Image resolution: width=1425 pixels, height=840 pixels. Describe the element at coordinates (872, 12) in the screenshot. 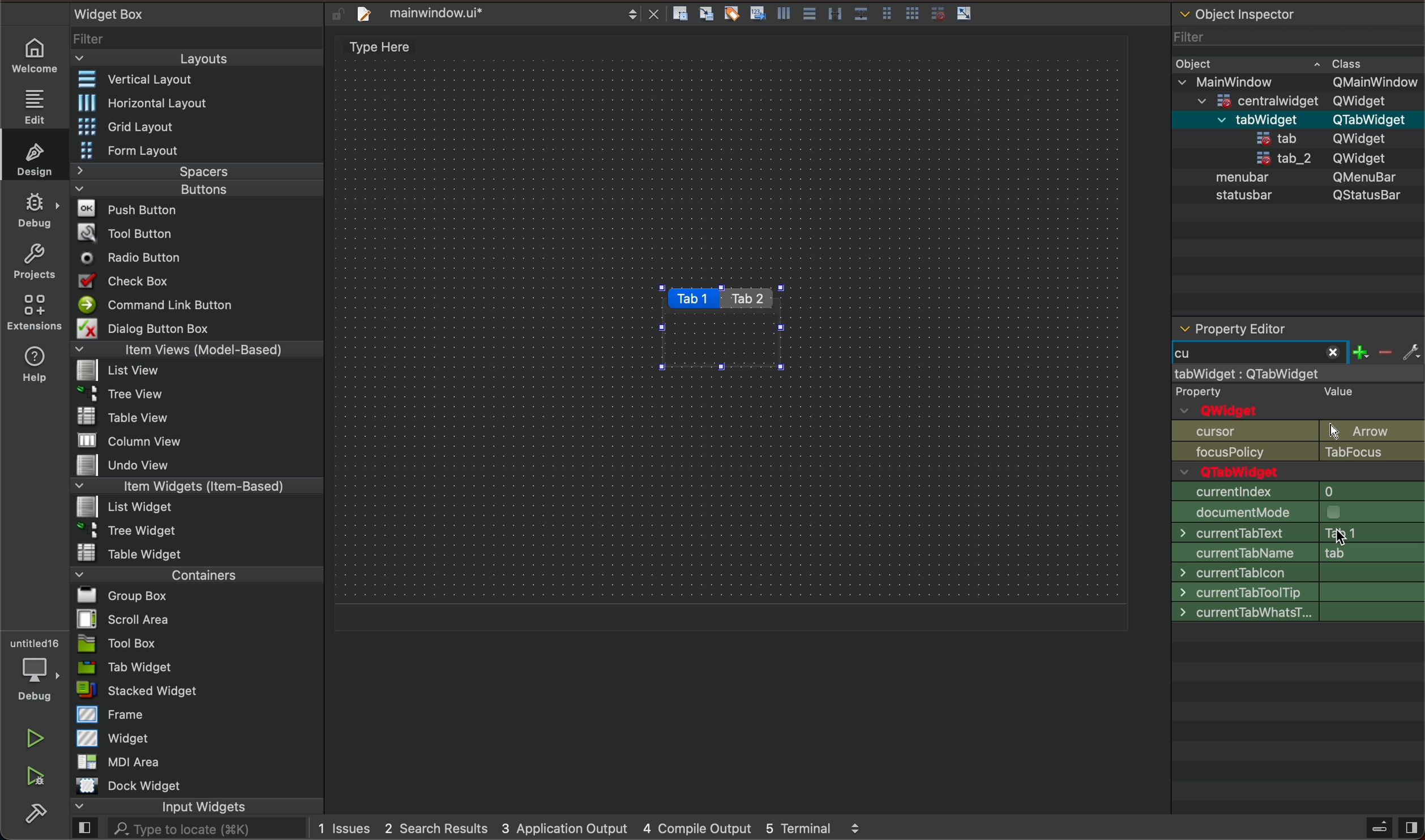

I see `layout actions` at that location.